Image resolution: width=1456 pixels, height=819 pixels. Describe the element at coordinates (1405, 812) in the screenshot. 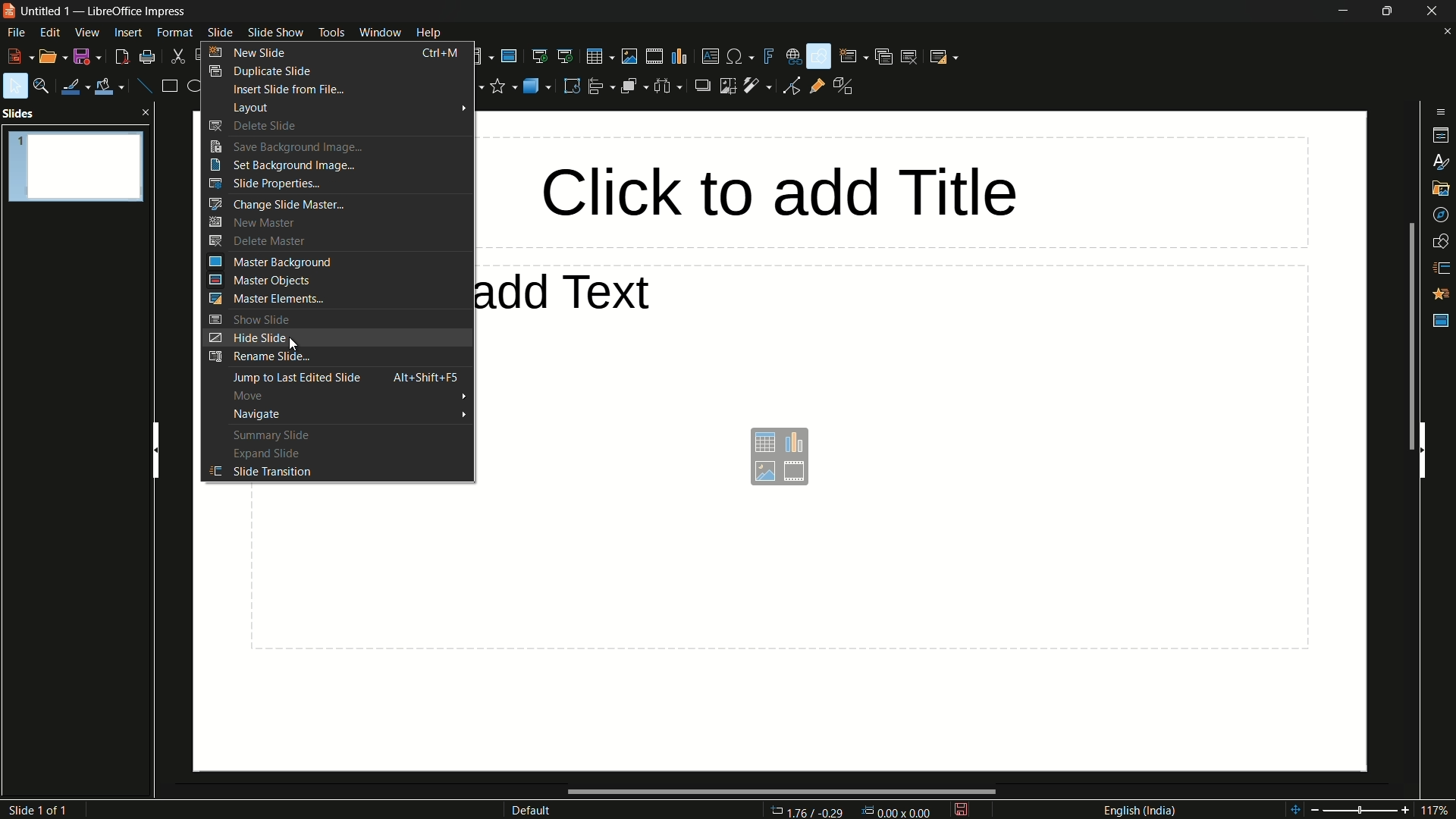

I see `zoom in` at that location.